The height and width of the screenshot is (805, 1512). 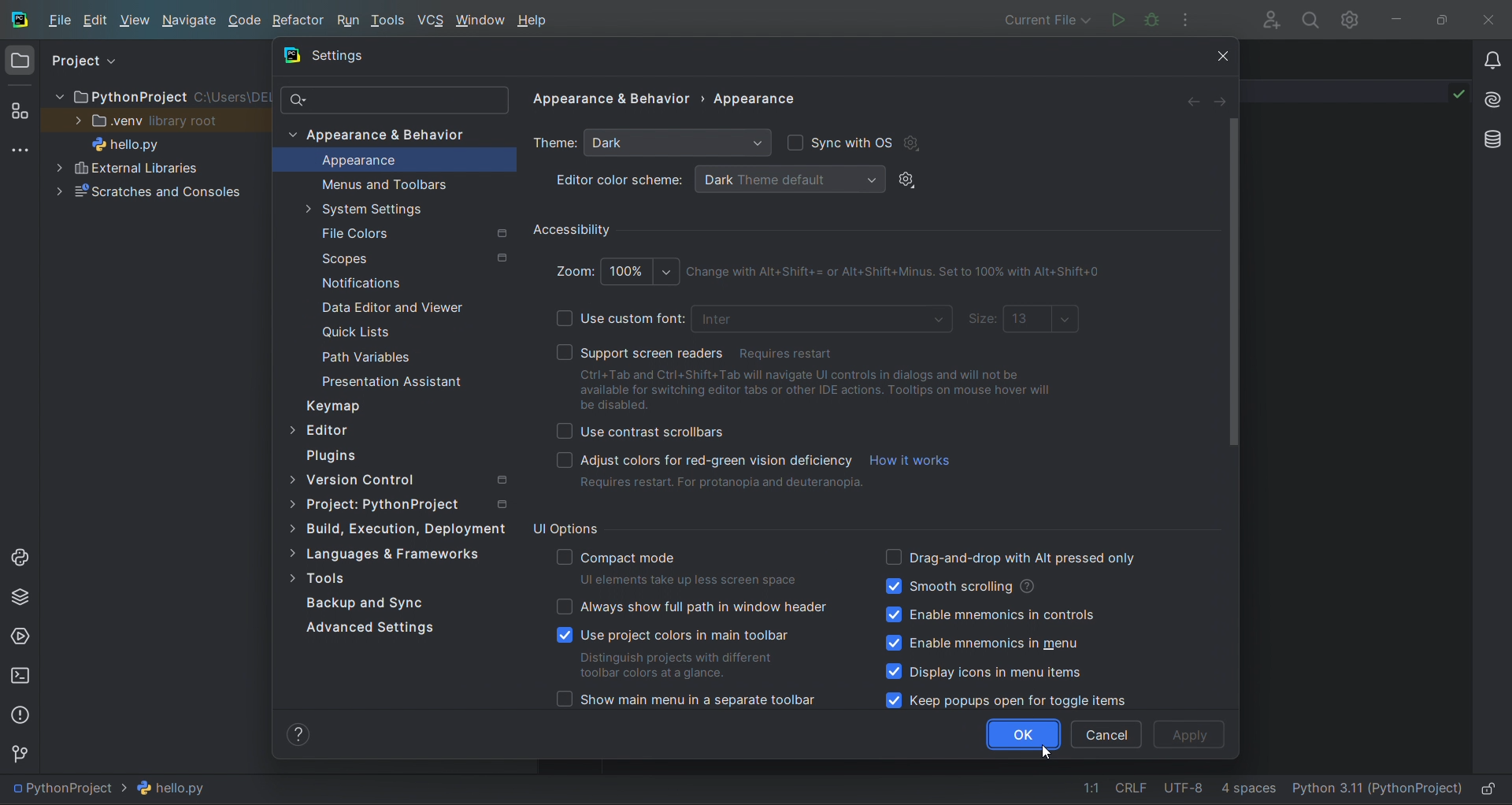 What do you see at coordinates (239, 21) in the screenshot?
I see `code` at bounding box center [239, 21].